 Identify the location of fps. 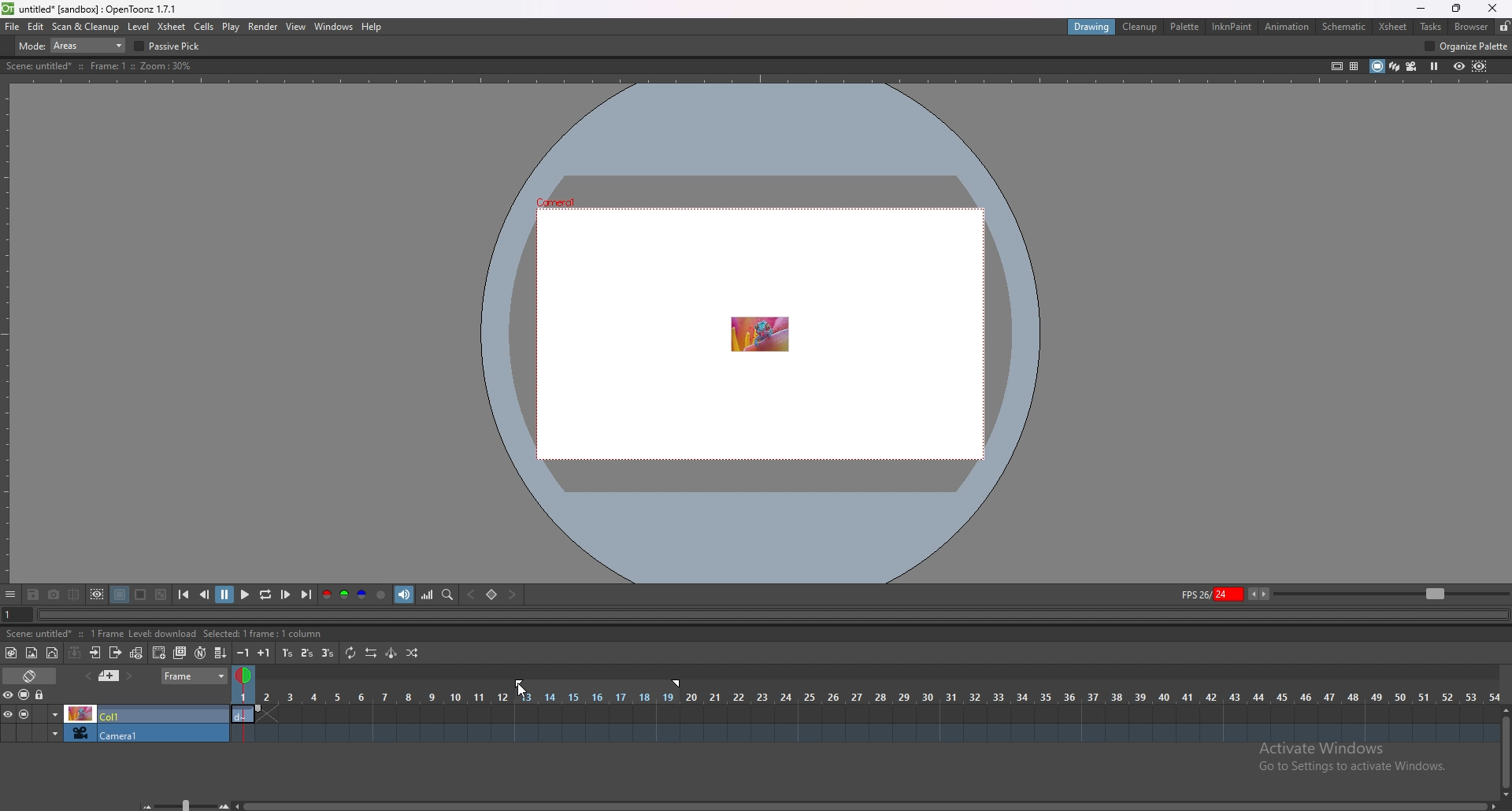
(1225, 594).